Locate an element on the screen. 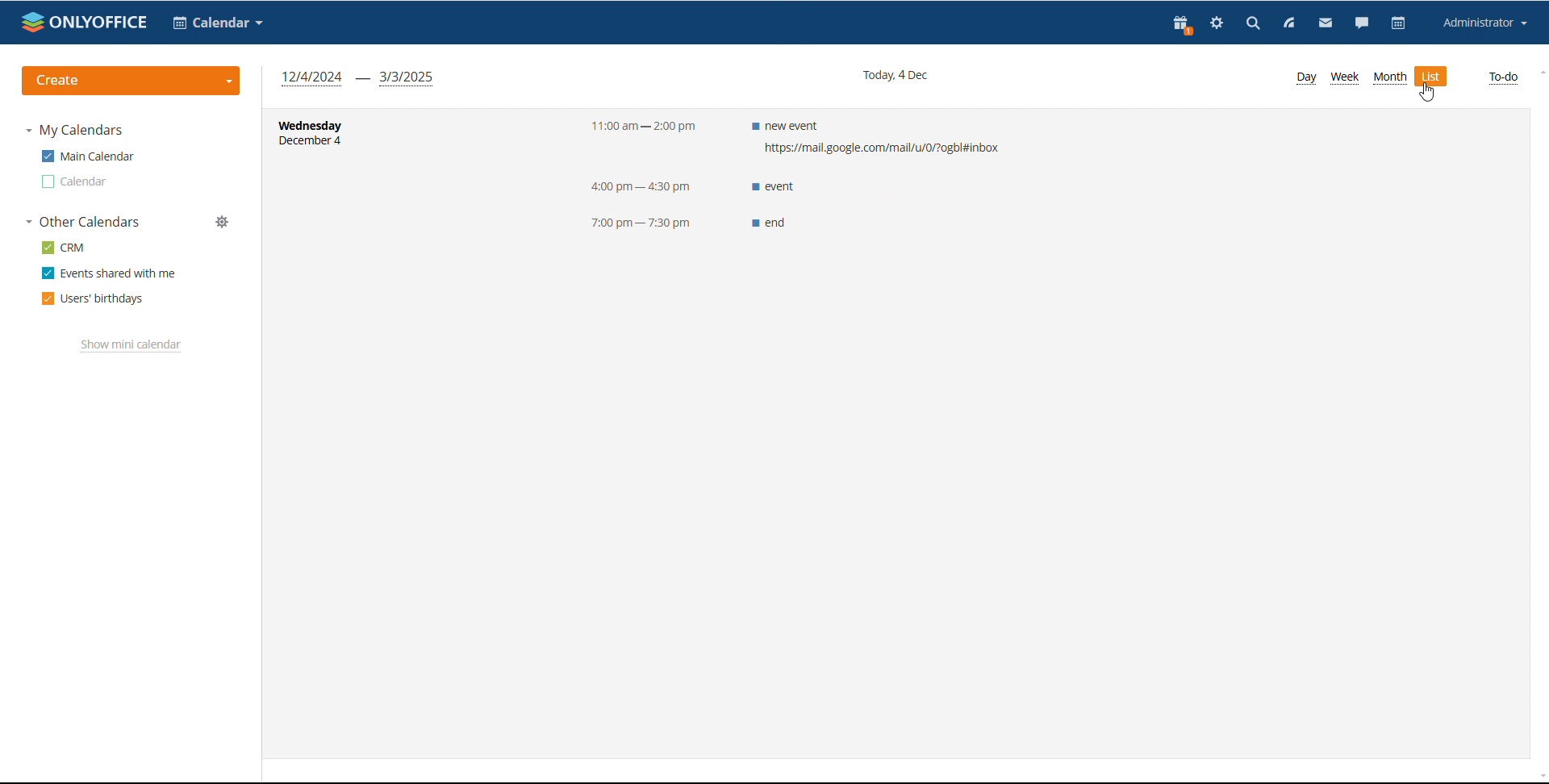 This screenshot has height=784, width=1549. current date is located at coordinates (344, 143).